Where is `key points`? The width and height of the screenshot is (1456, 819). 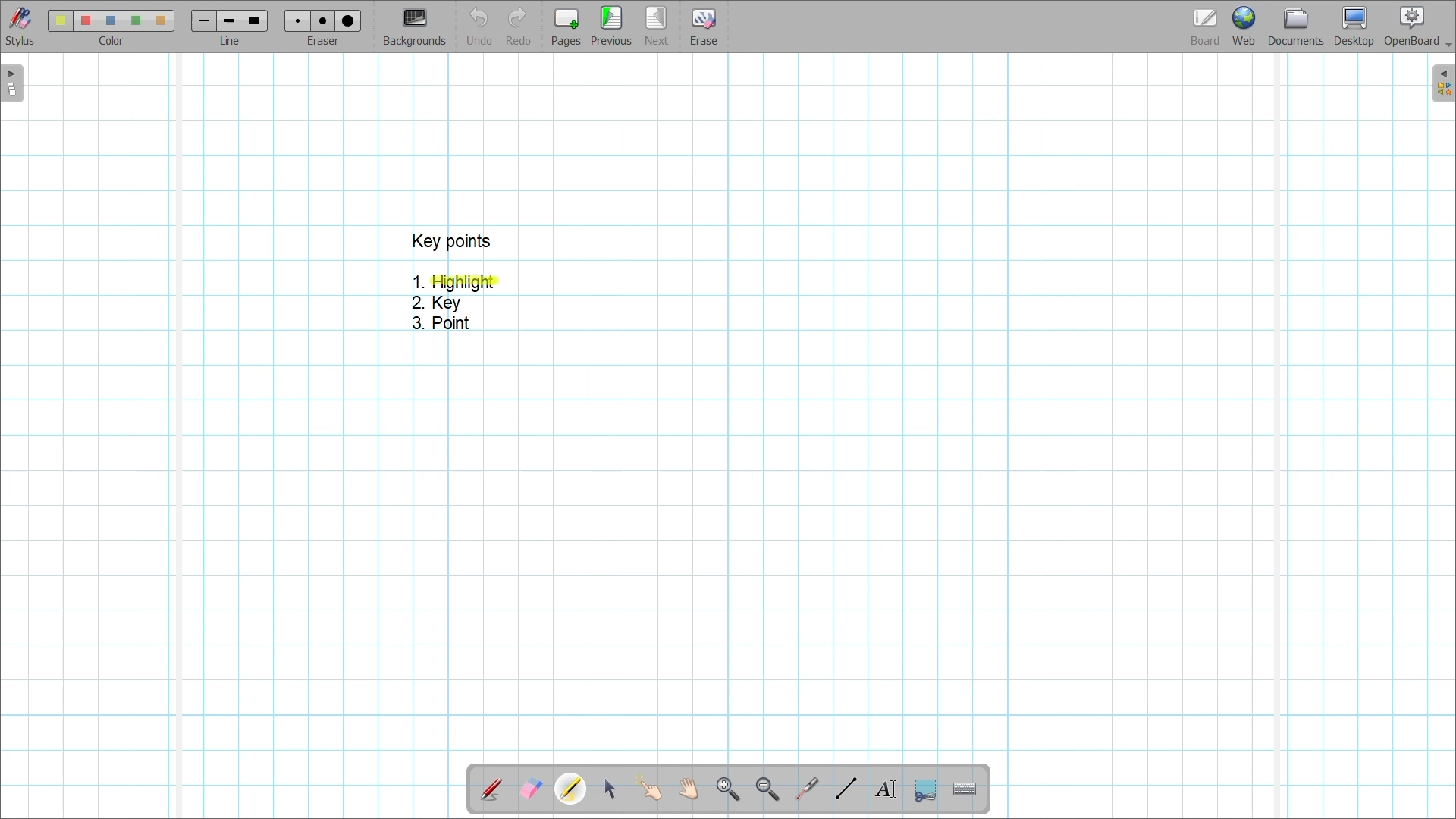
key points is located at coordinates (450, 241).